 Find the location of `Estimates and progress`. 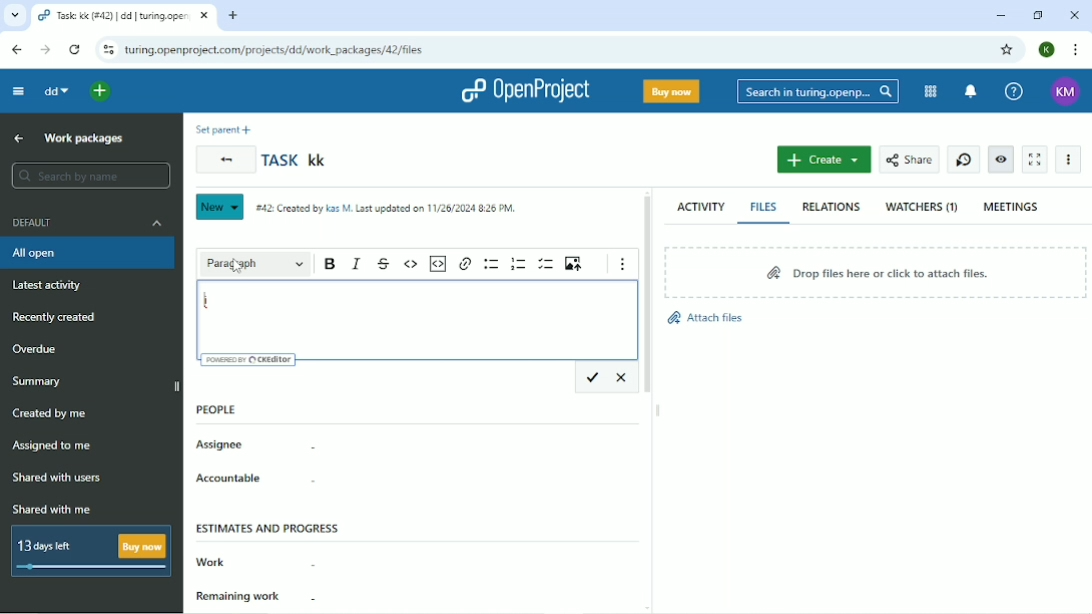

Estimates and progress is located at coordinates (271, 524).